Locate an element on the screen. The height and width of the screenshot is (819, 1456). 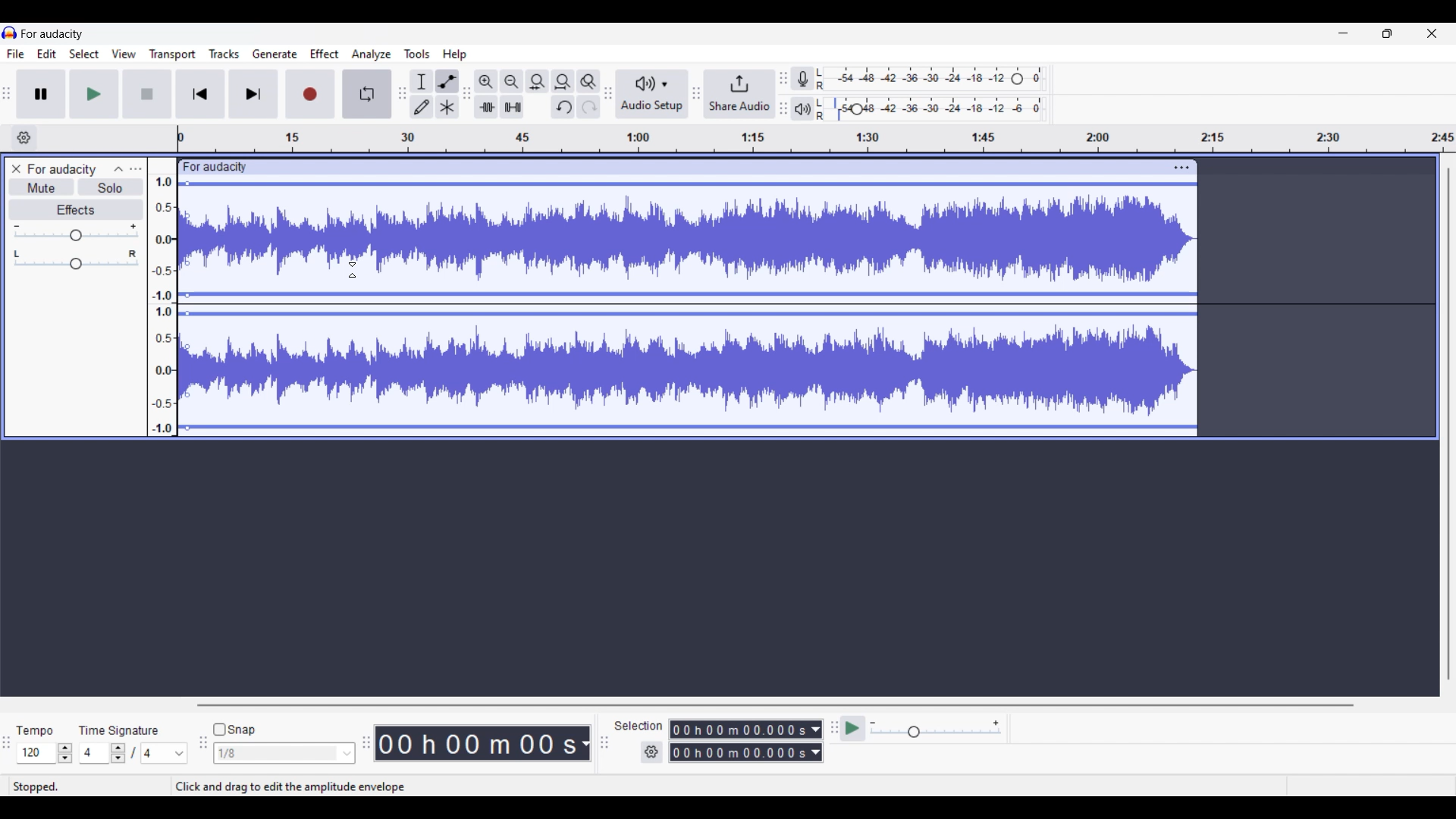
Zoom toggle is located at coordinates (588, 81).